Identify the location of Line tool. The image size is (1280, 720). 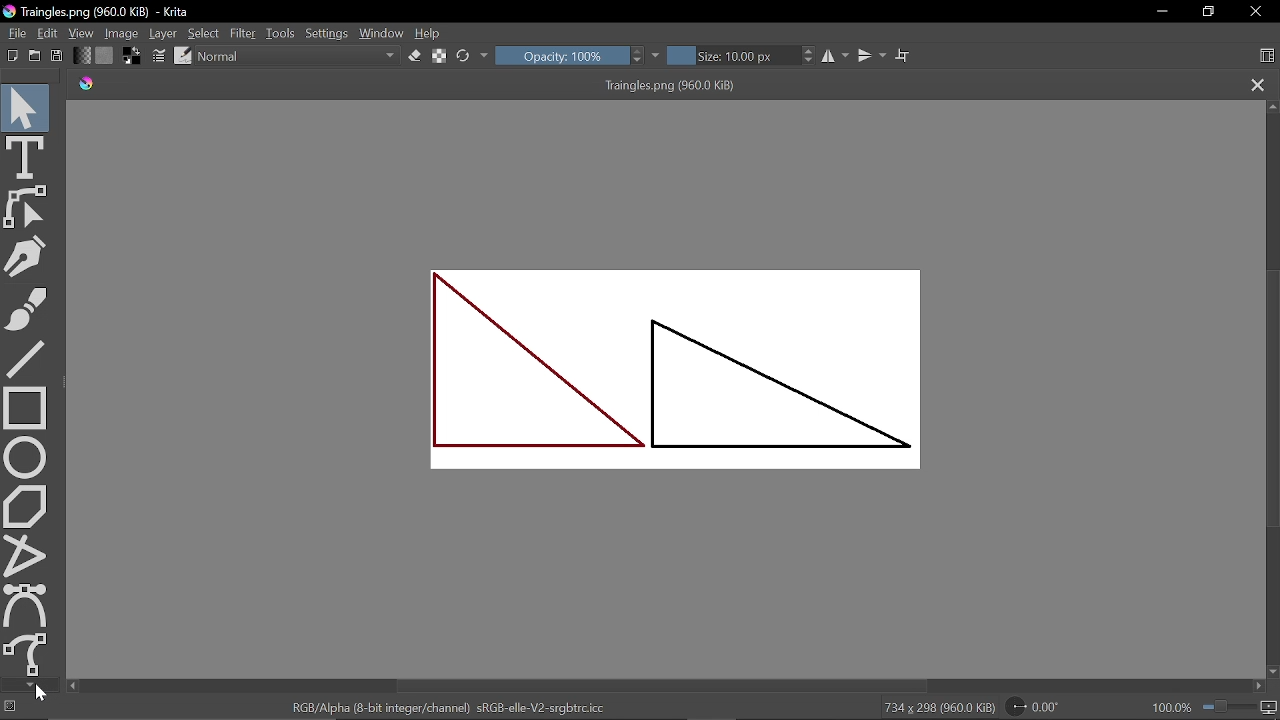
(26, 359).